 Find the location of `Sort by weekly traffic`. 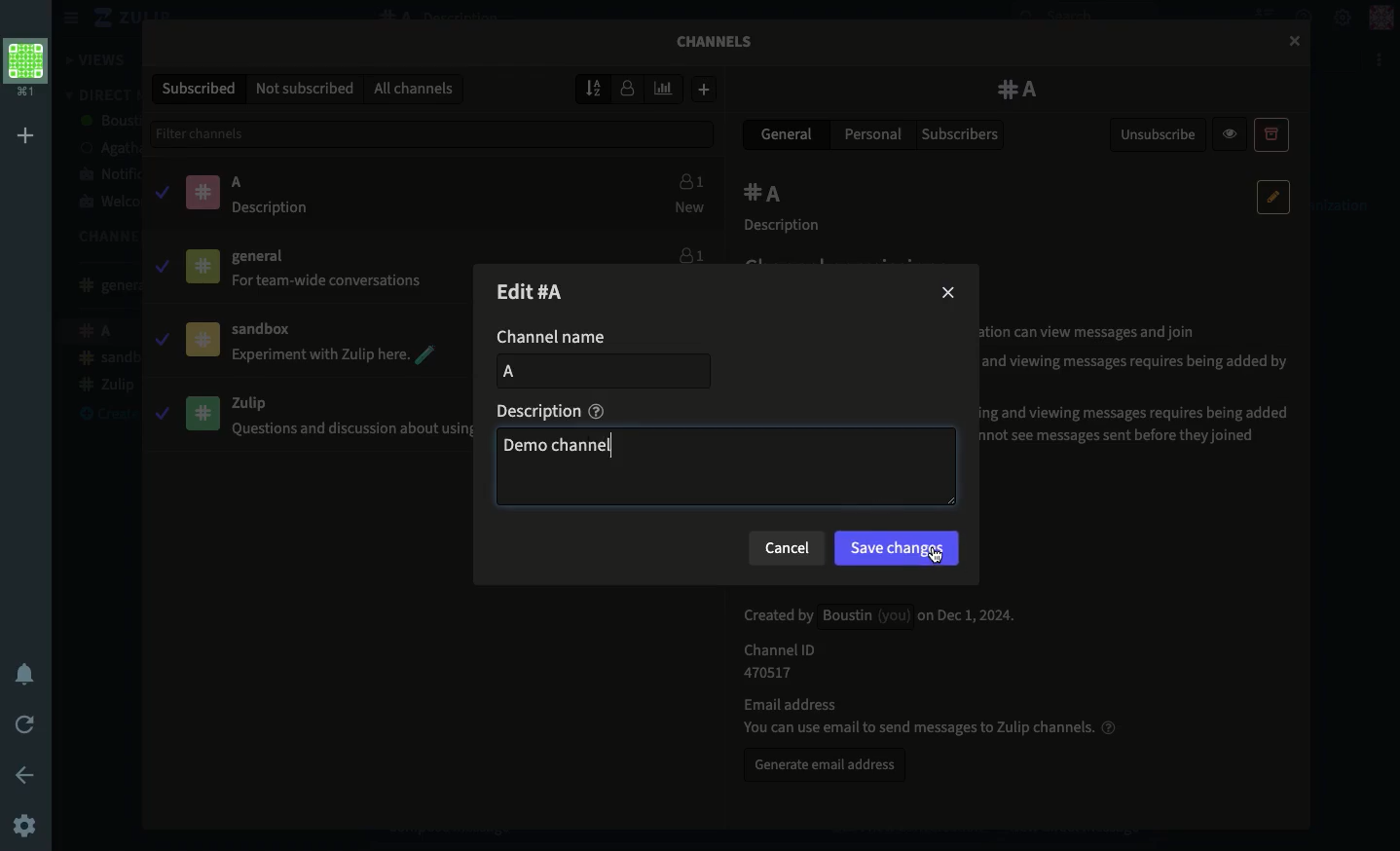

Sort by weekly traffic is located at coordinates (666, 89).